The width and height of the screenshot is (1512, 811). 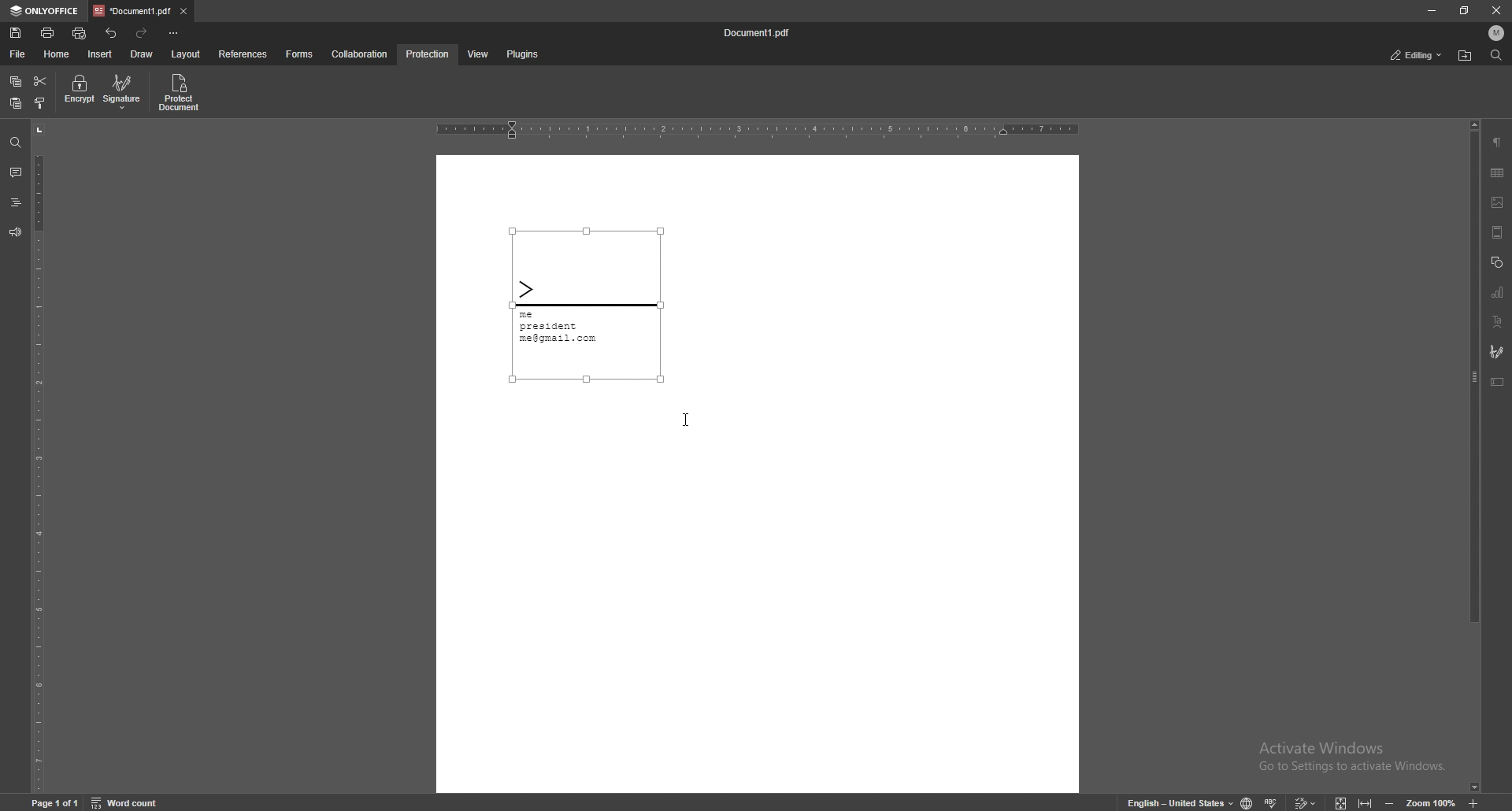 What do you see at coordinates (39, 457) in the screenshot?
I see `vertical scale` at bounding box center [39, 457].